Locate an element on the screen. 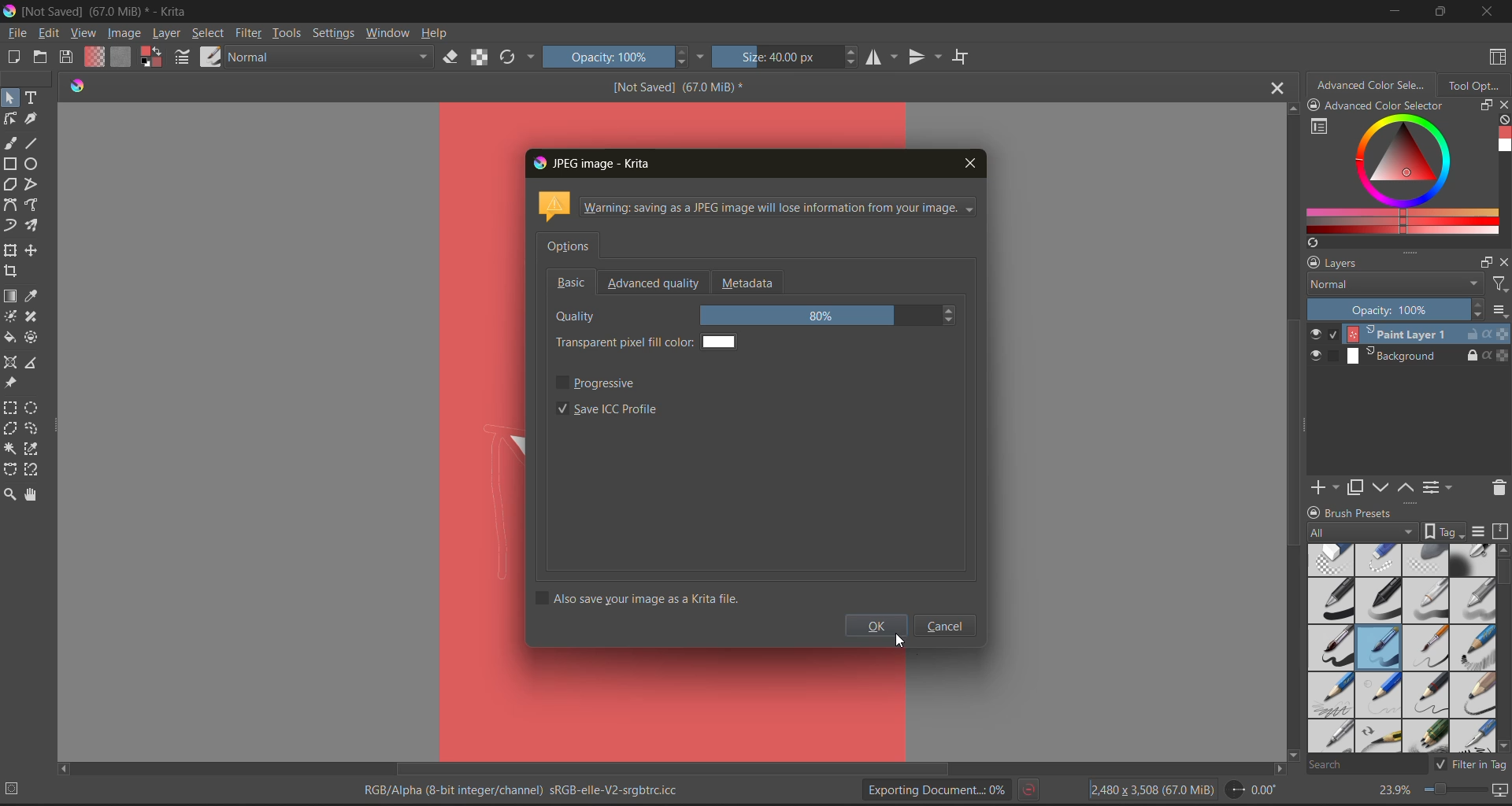 This screenshot has width=1512, height=806. also save your image as a krita file is located at coordinates (636, 597).